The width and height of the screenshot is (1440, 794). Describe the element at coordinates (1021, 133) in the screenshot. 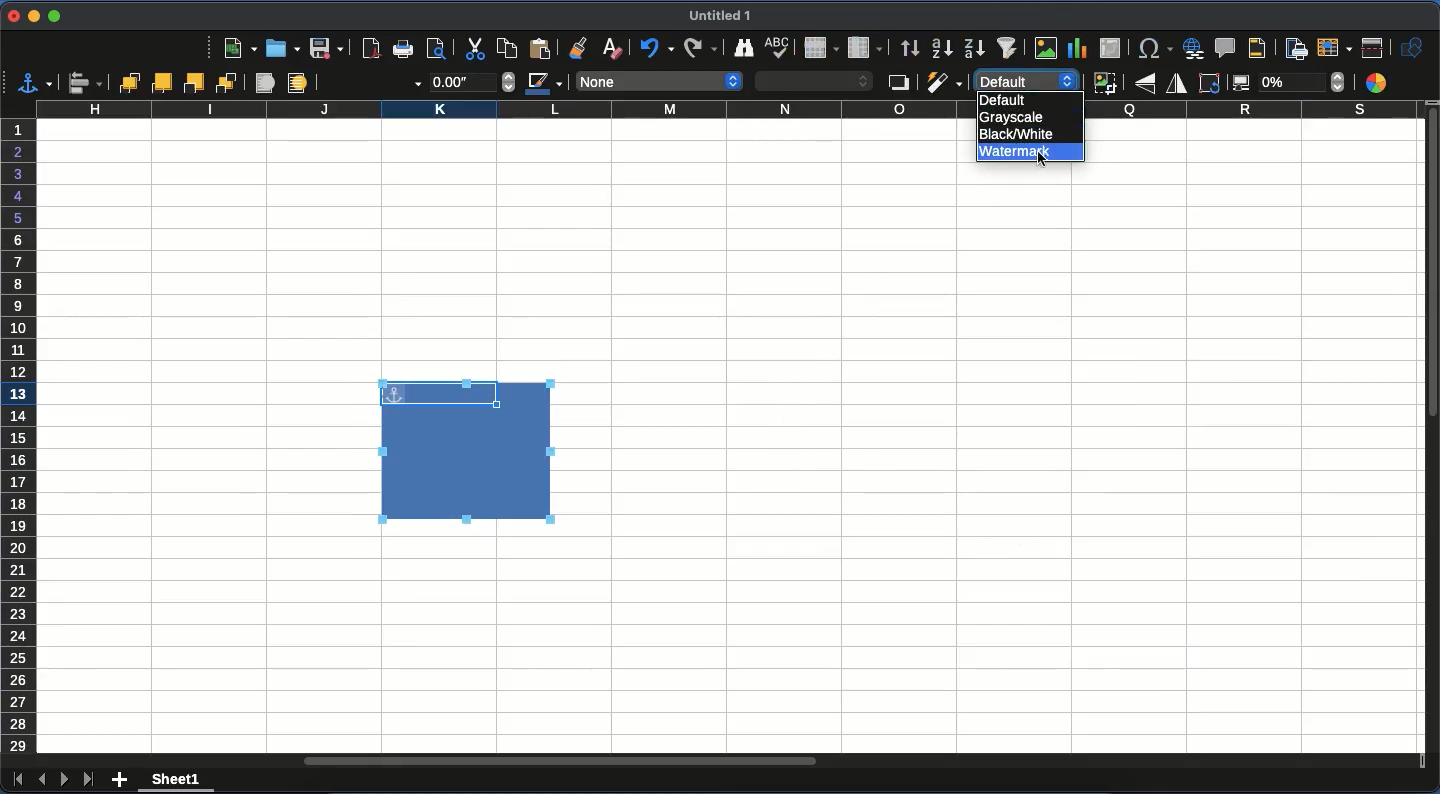

I see `black white` at that location.